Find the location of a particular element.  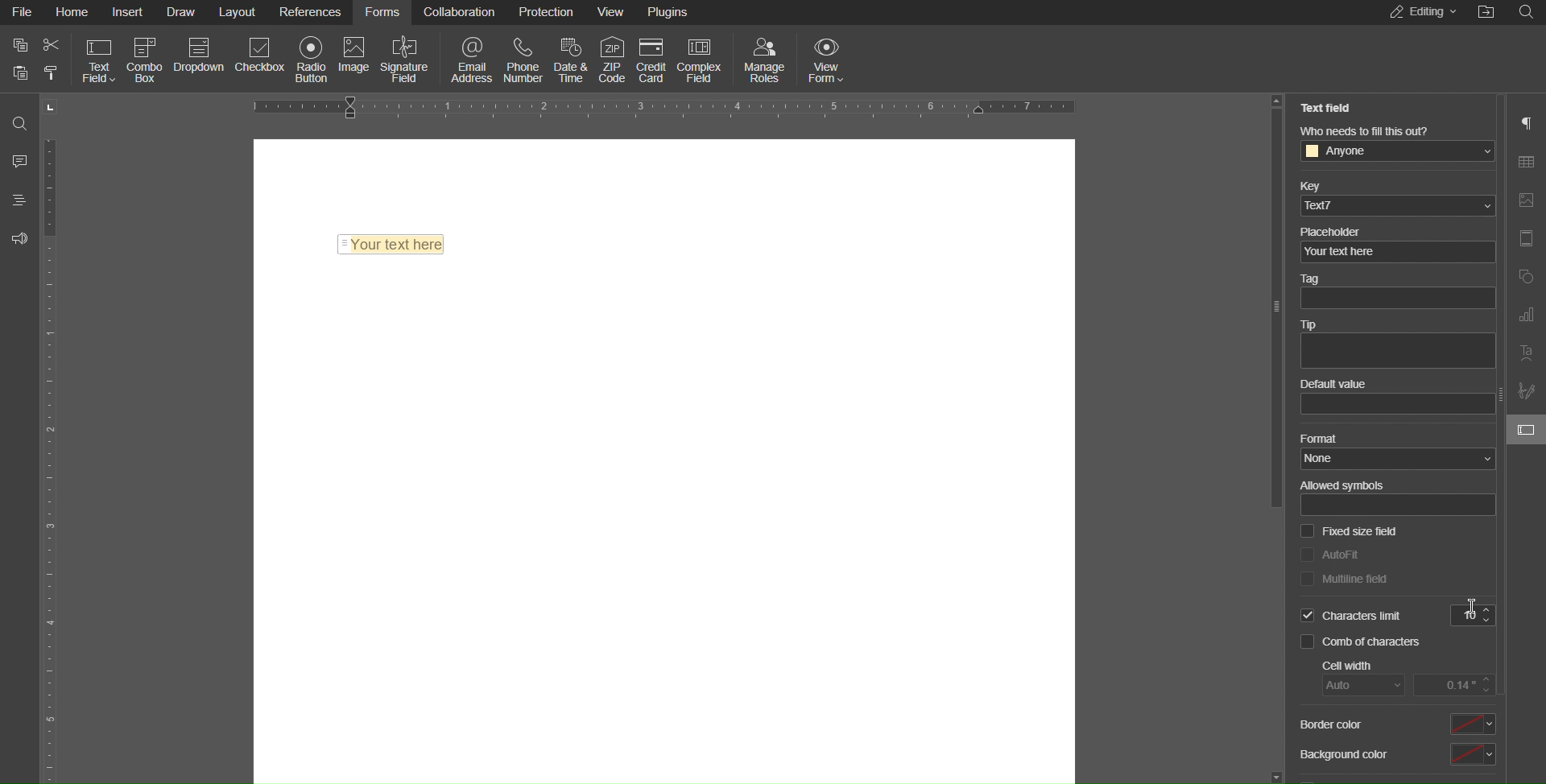

Horizontal Ruler is located at coordinates (668, 105).